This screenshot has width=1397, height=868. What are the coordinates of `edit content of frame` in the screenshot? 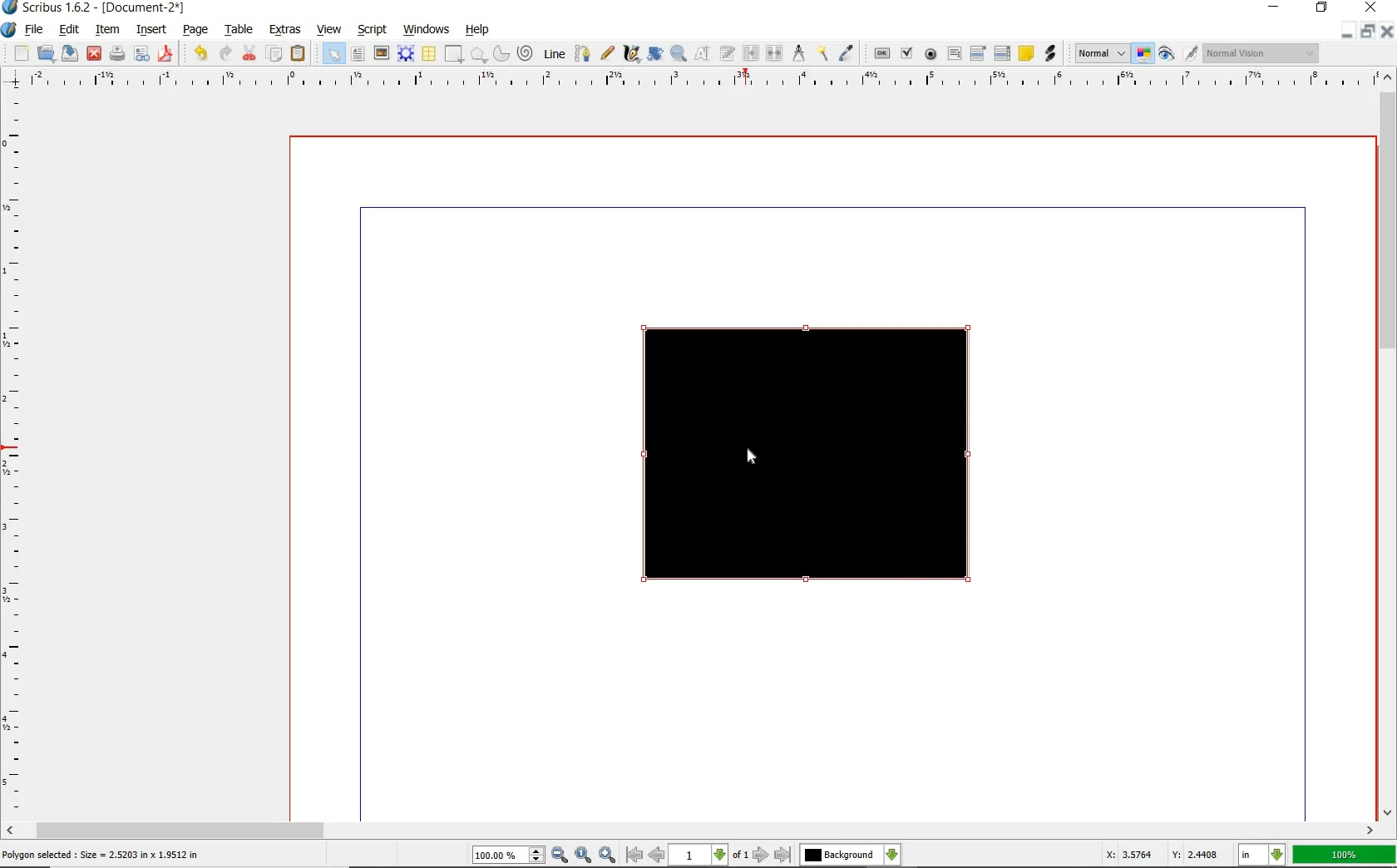 It's located at (701, 54).